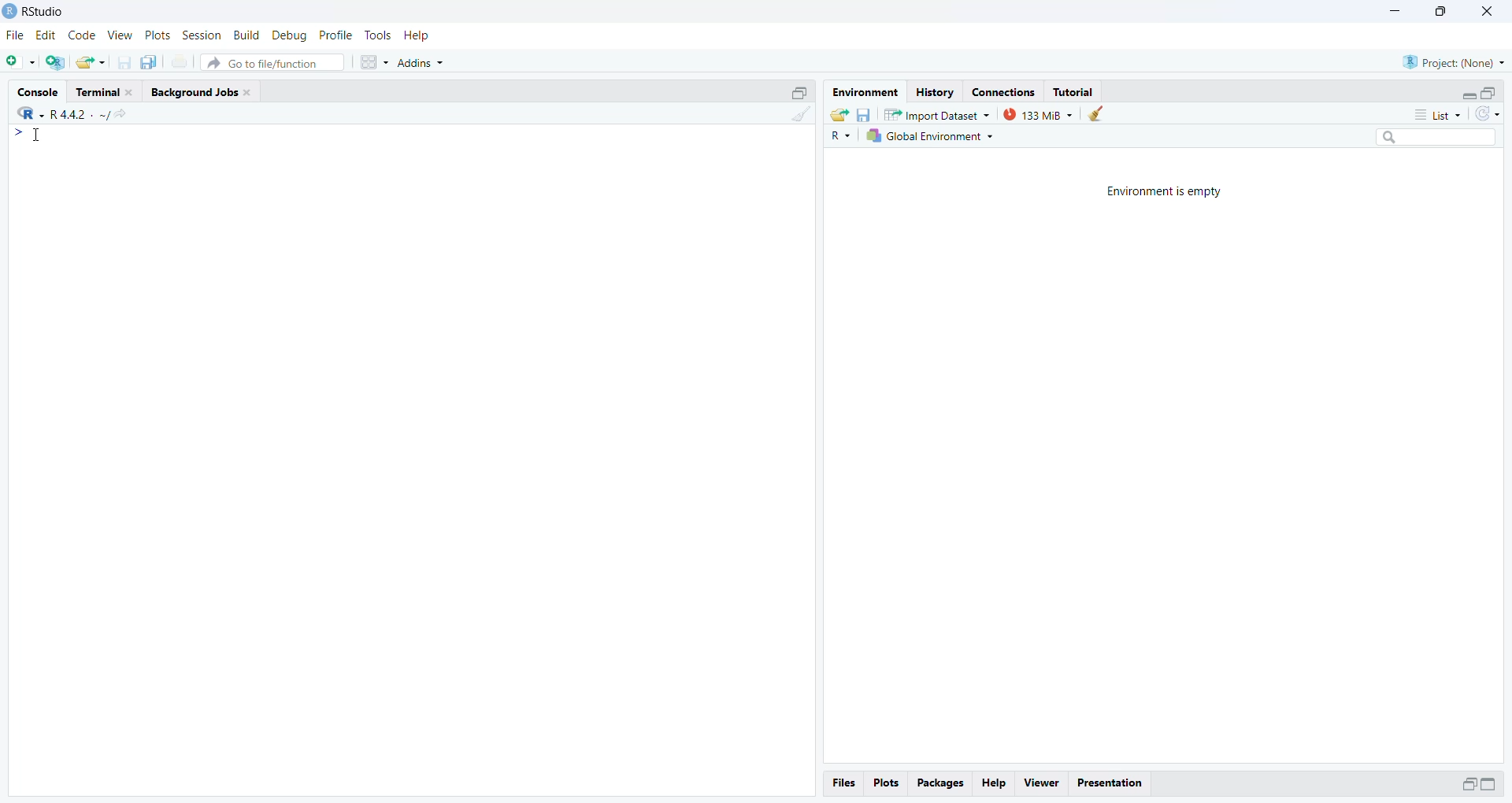  I want to click on Save all open documents (CTRL + ALT + S), so click(150, 63).